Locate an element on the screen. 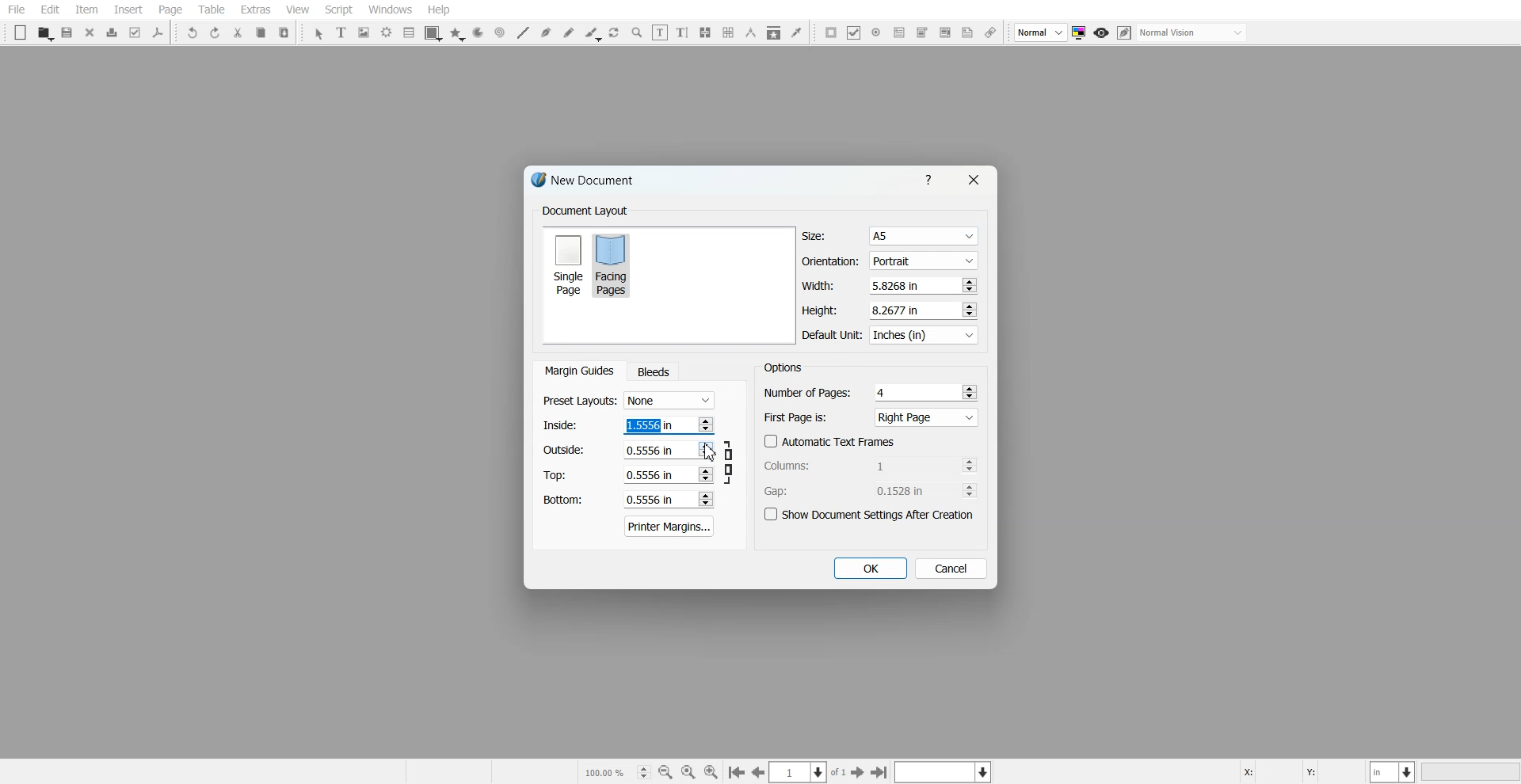 This screenshot has width=1521, height=784. 0.5556 in is located at coordinates (650, 500).